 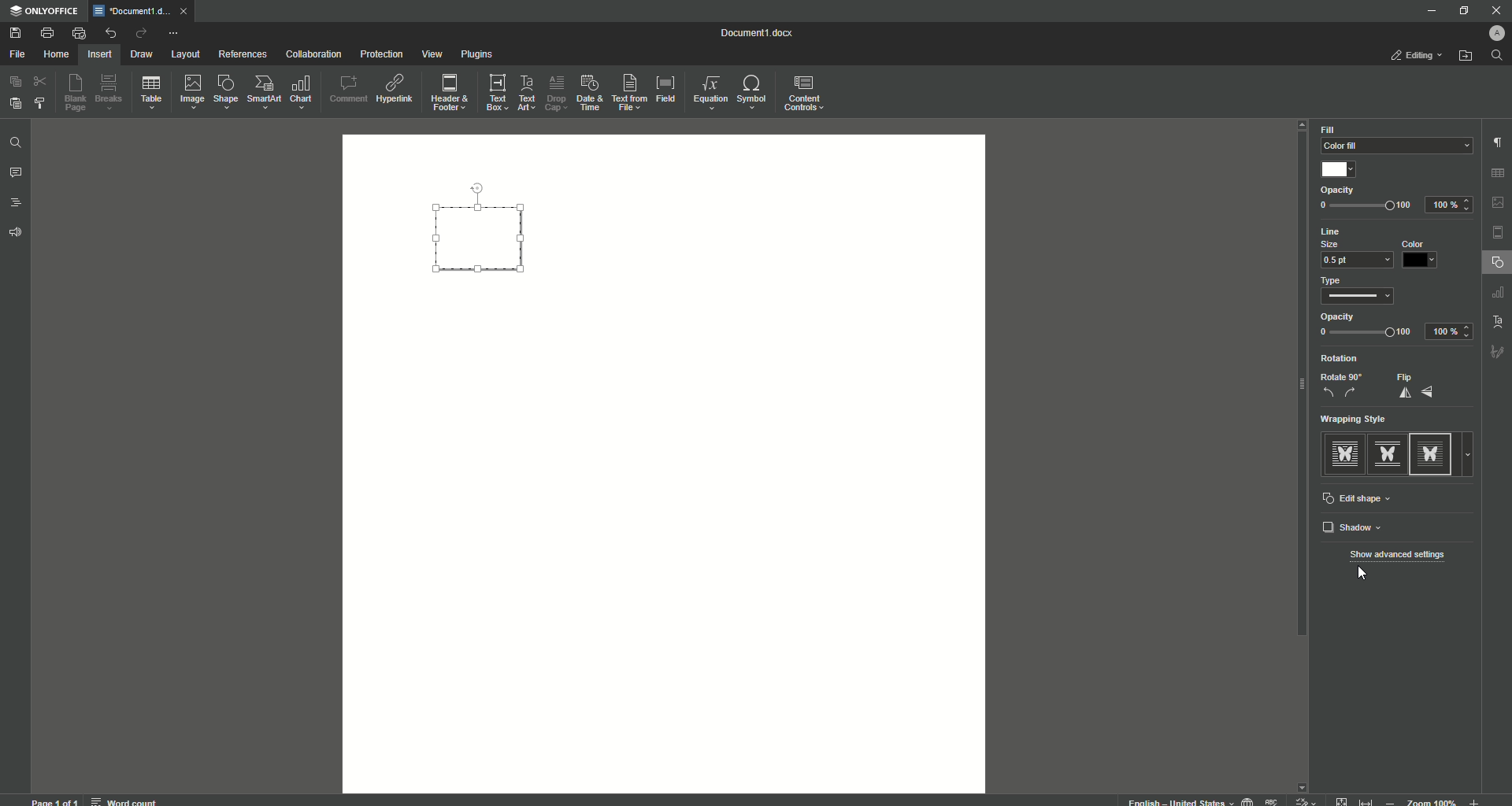 I want to click on Restore, so click(x=1462, y=11).